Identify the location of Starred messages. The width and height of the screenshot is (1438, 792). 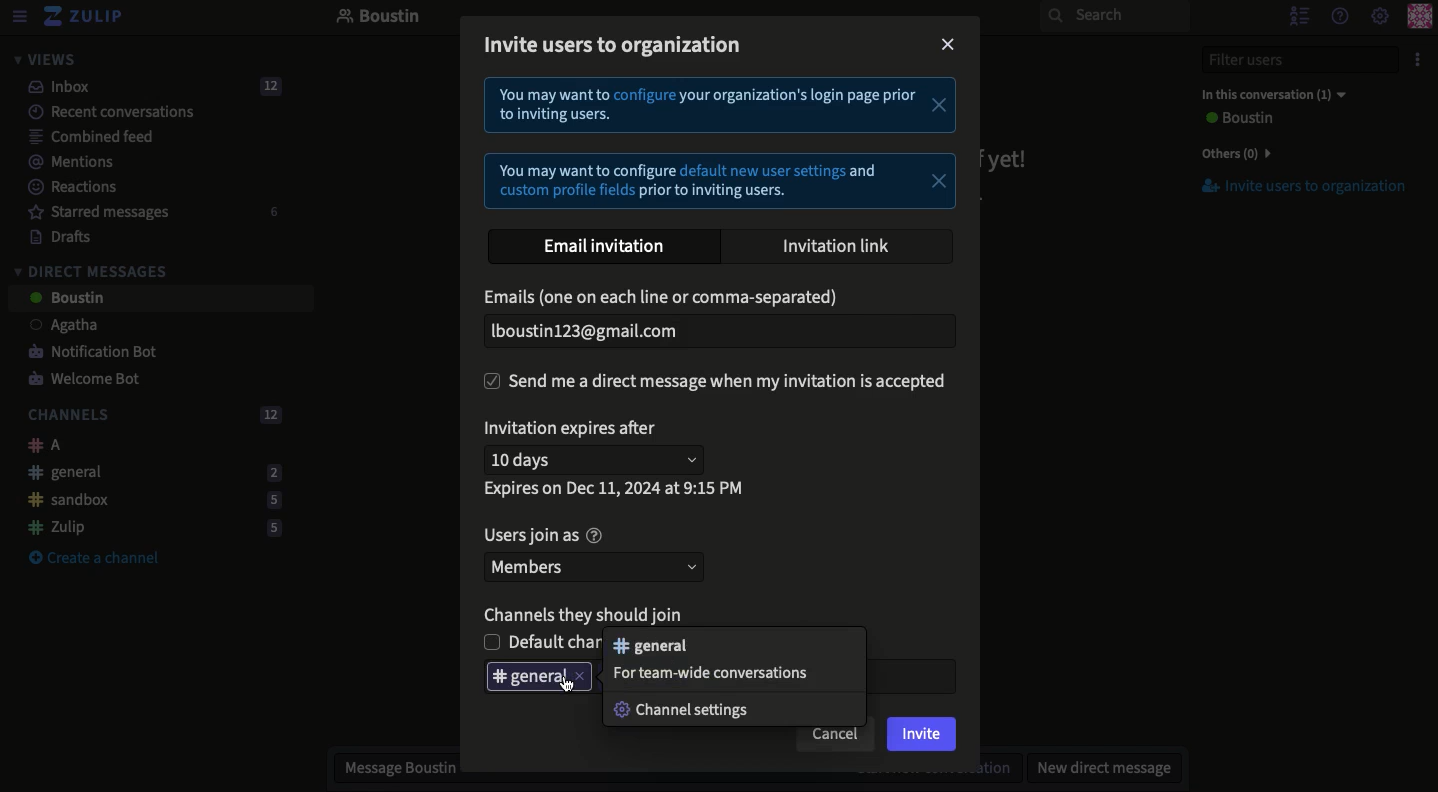
(150, 212).